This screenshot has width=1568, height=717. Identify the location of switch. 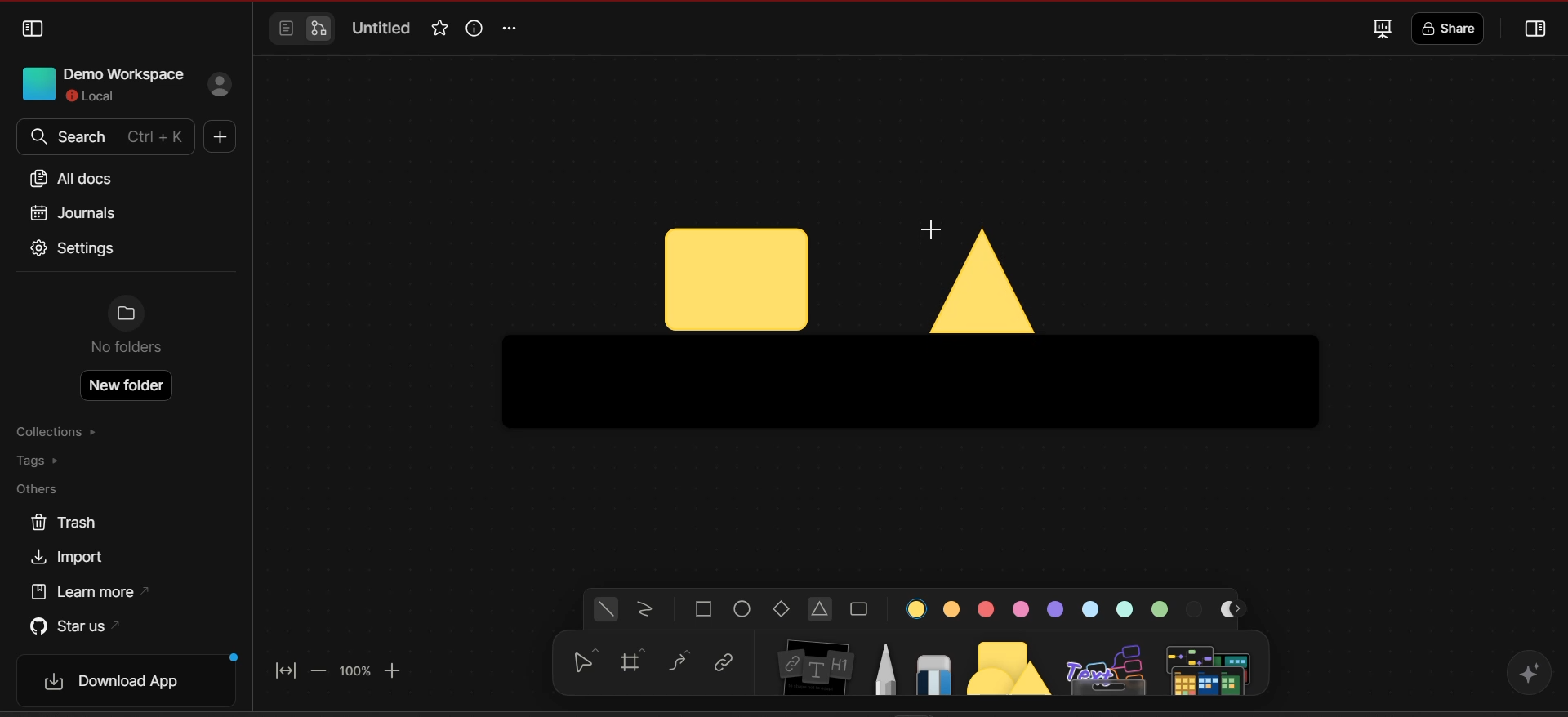
(301, 29).